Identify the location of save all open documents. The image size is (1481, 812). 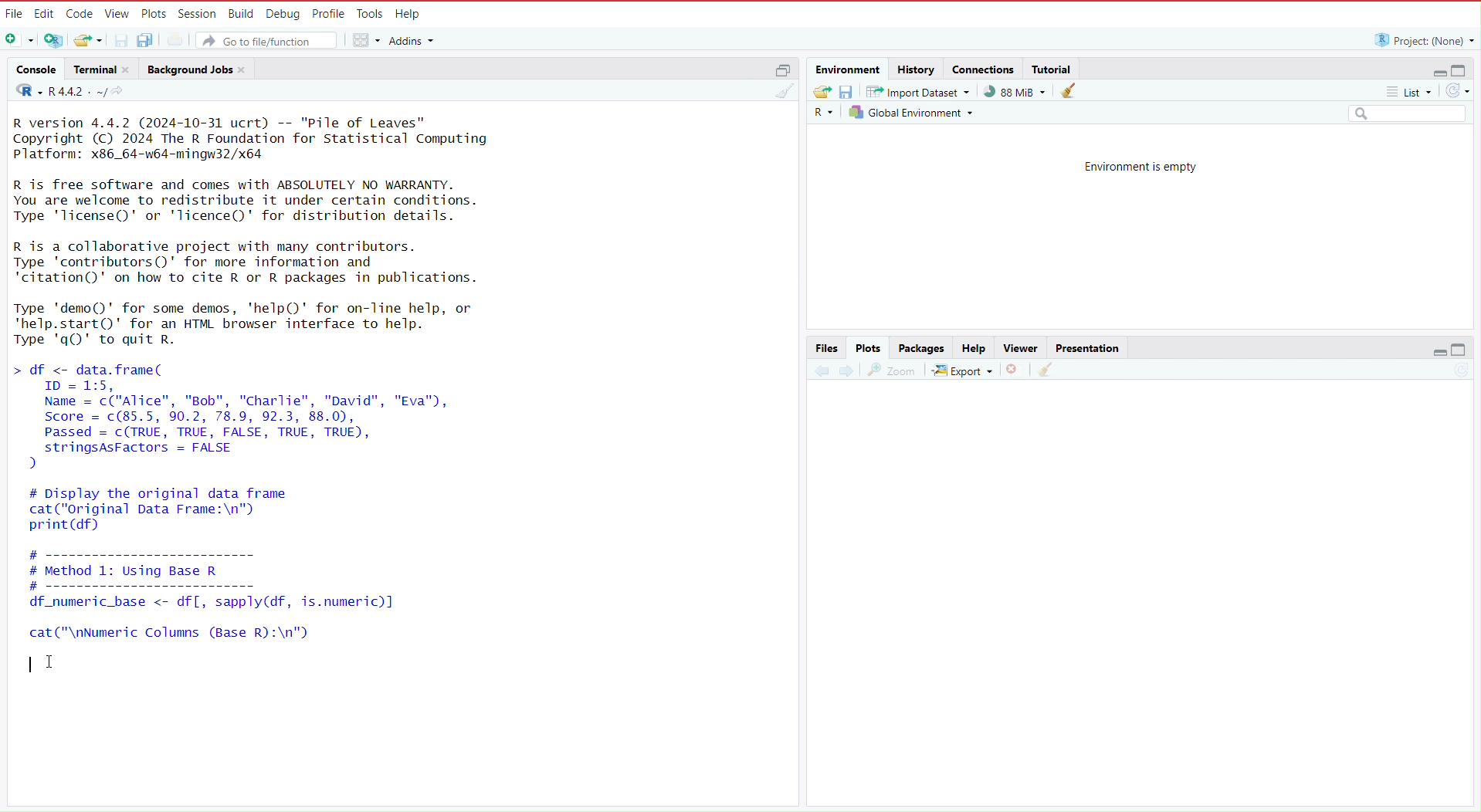
(147, 40).